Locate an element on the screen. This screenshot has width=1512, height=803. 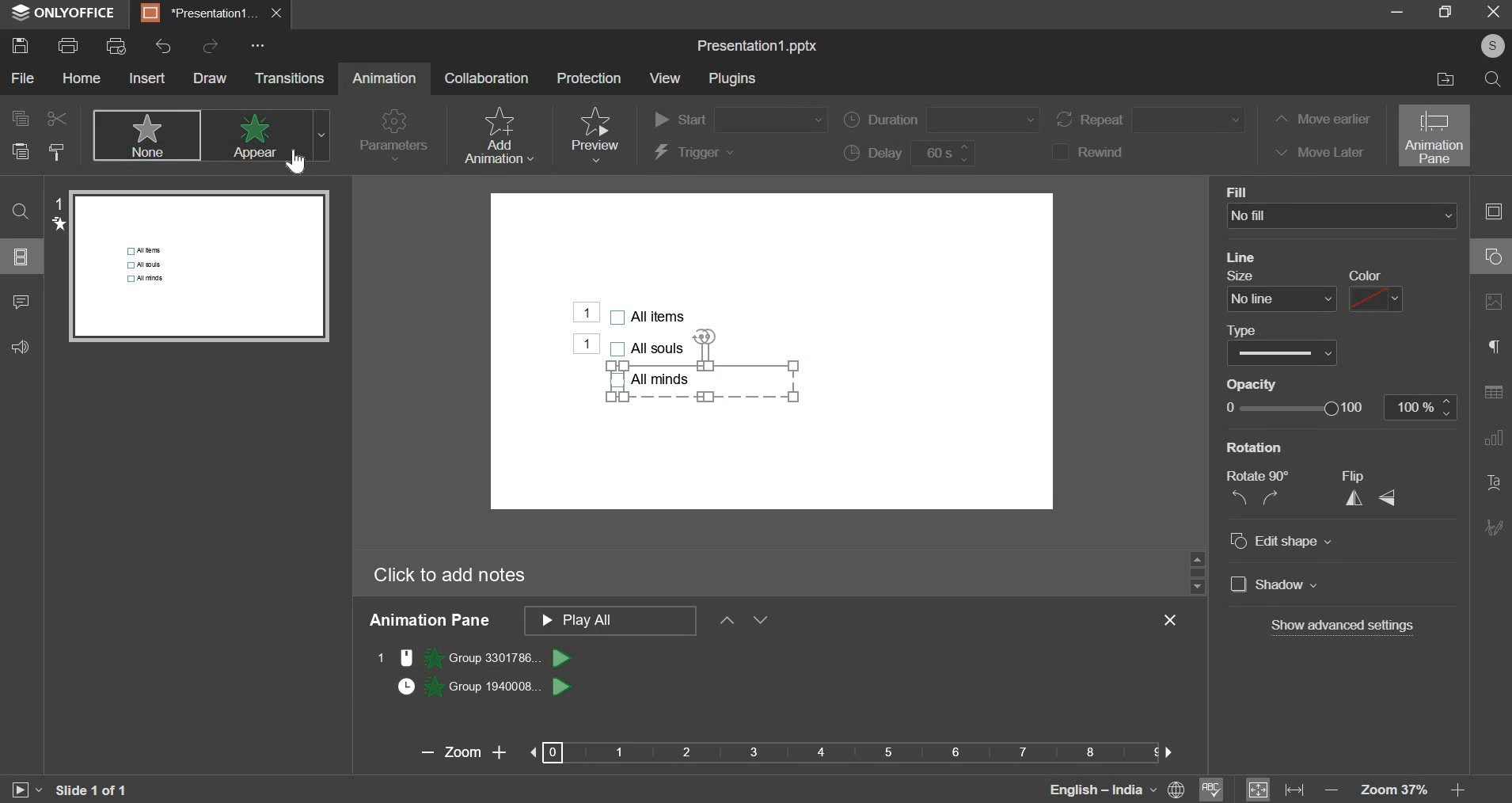
plugins is located at coordinates (731, 79).